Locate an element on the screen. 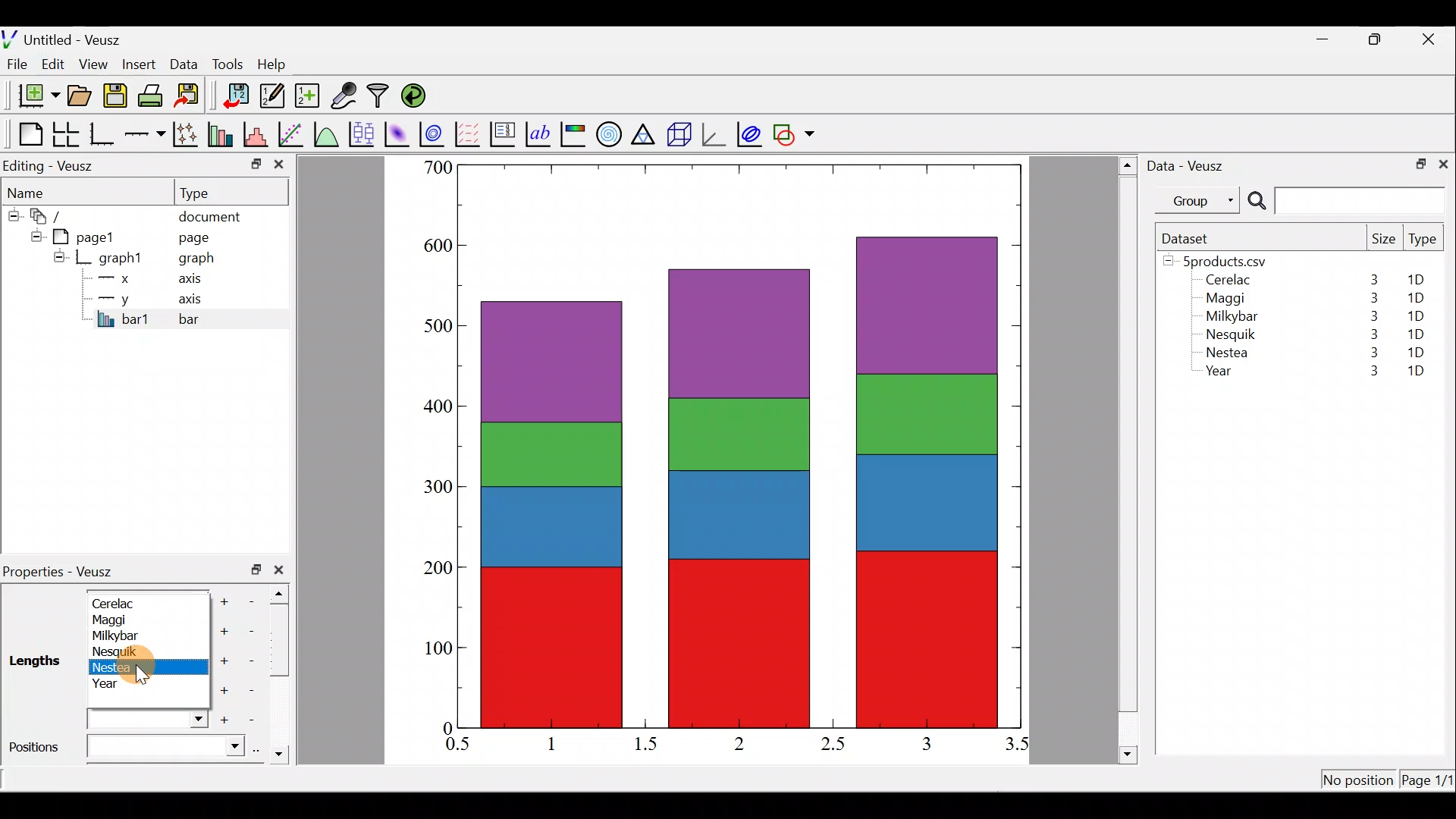 This screenshot has height=819, width=1456. close is located at coordinates (279, 168).